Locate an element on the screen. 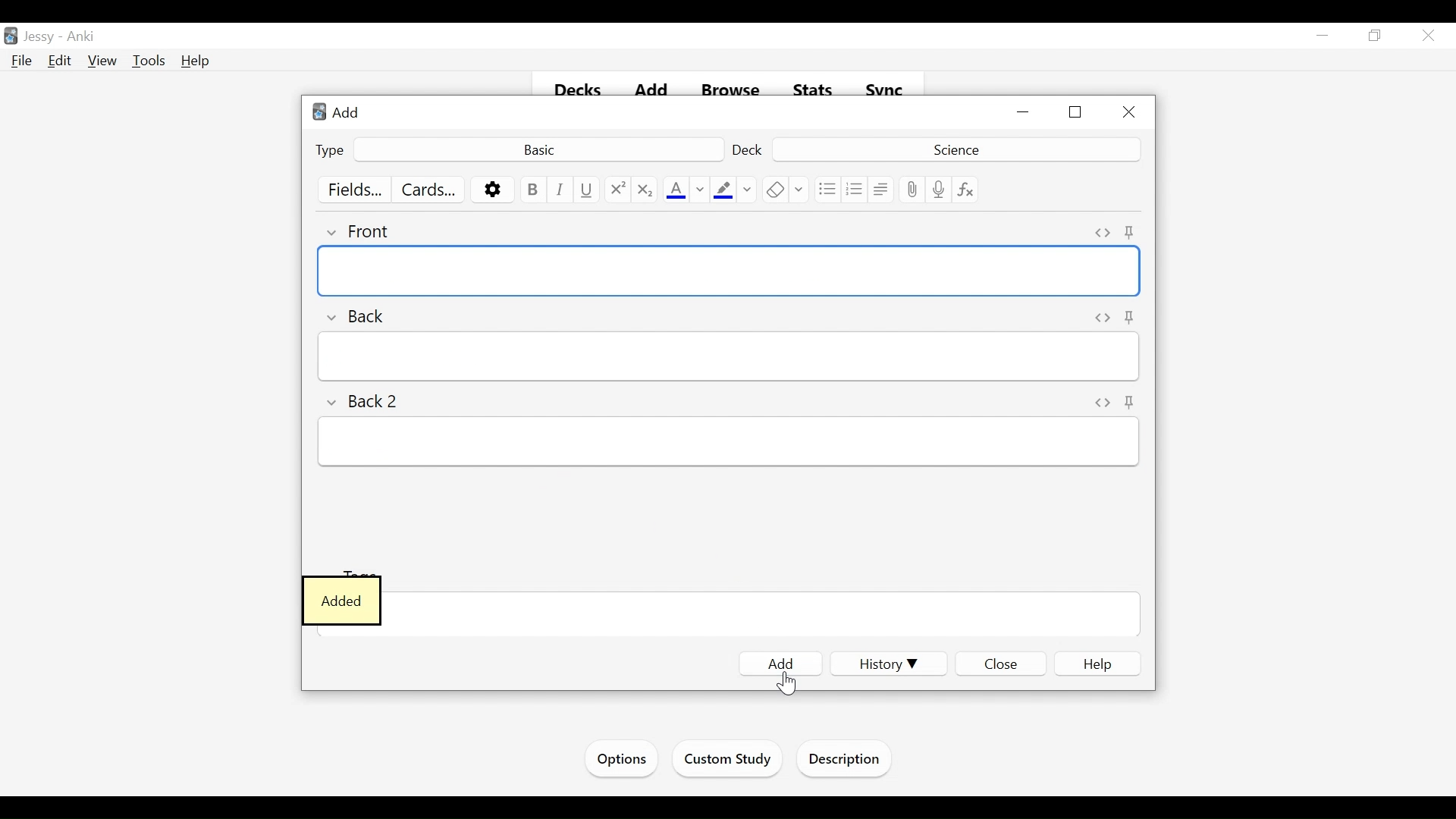 The height and width of the screenshot is (819, 1456). Browse is located at coordinates (733, 91).